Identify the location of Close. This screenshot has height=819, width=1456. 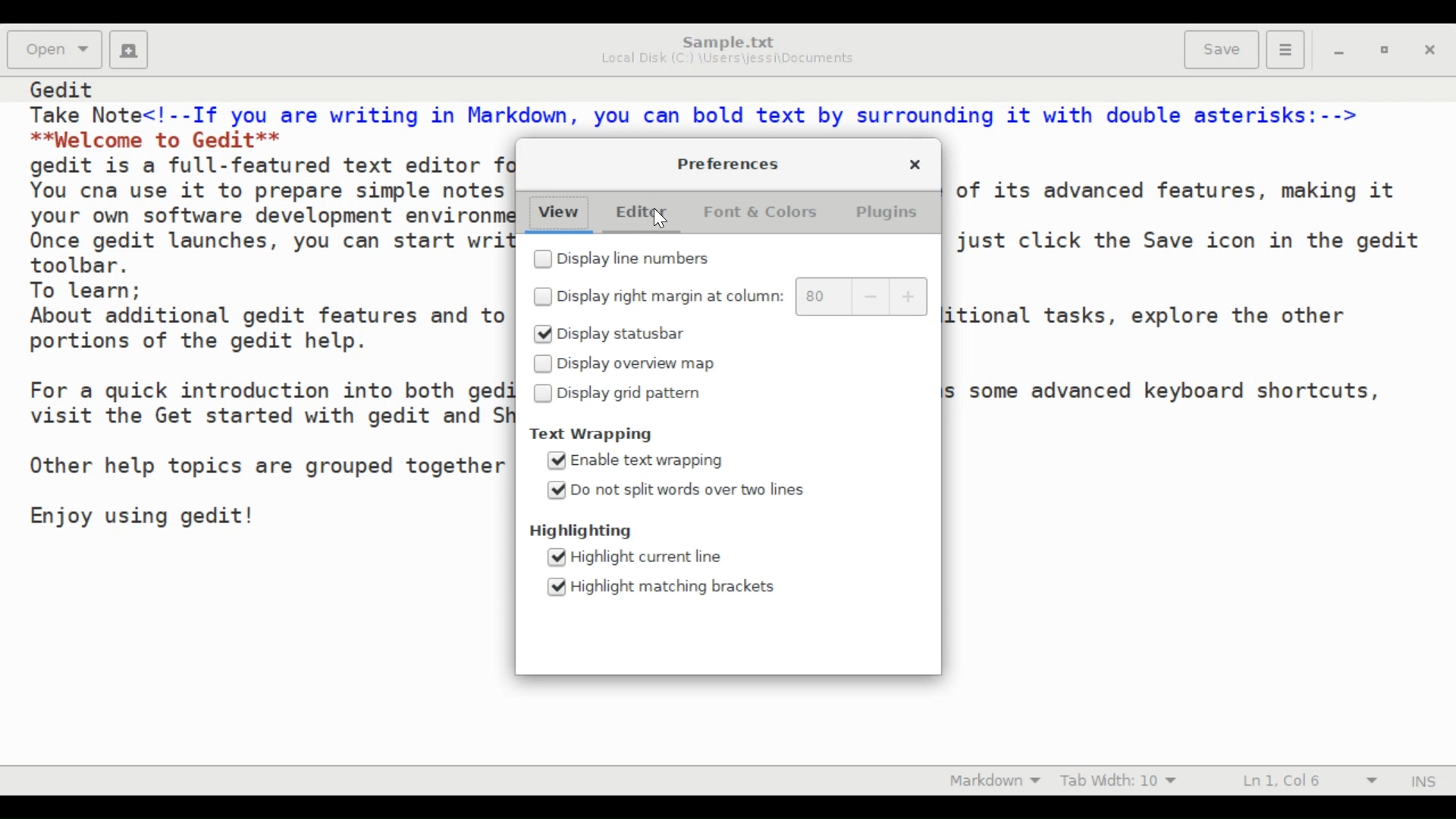
(914, 165).